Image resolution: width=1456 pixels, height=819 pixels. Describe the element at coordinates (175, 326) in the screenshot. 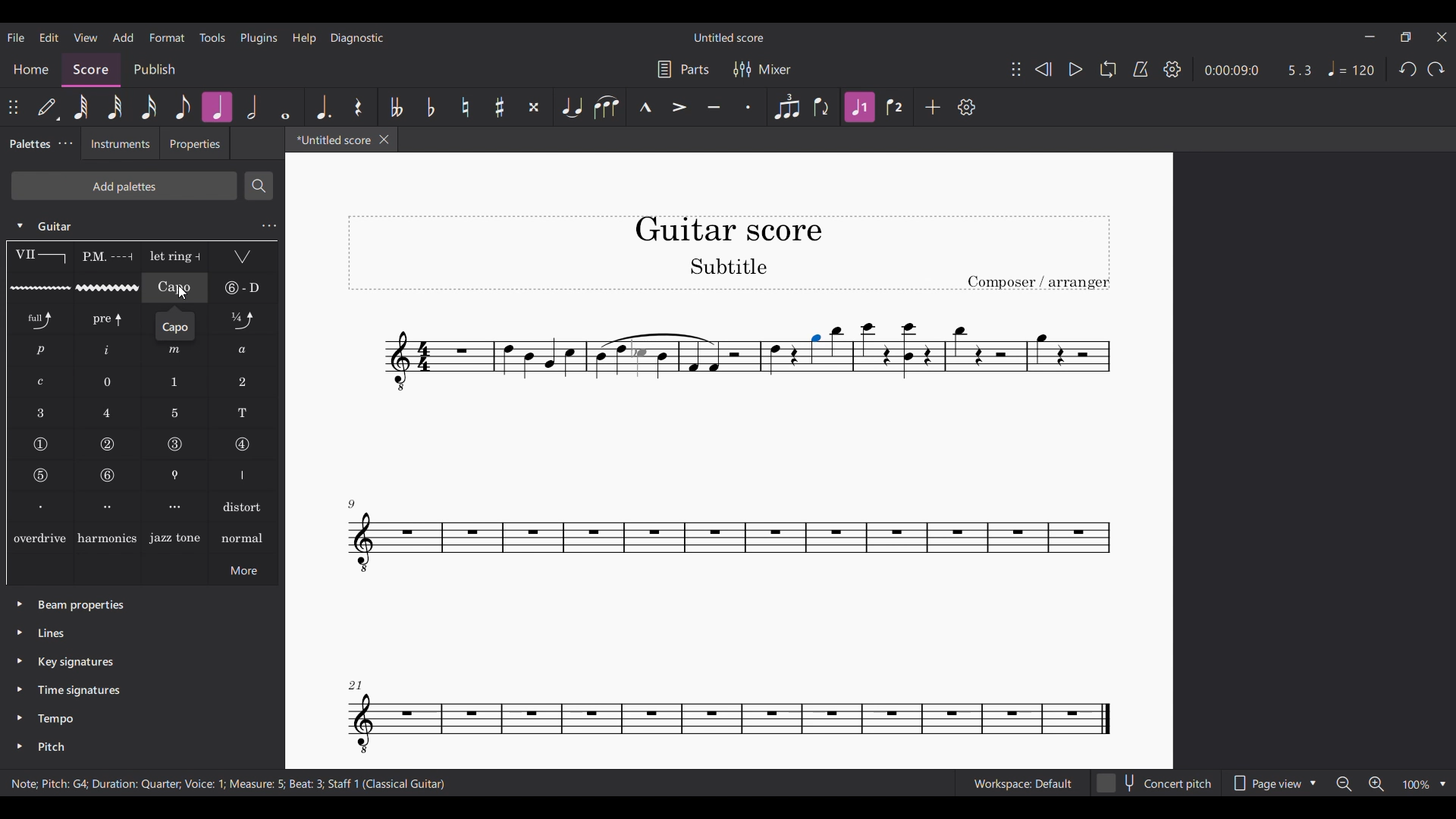

I see `Description of current selection` at that location.